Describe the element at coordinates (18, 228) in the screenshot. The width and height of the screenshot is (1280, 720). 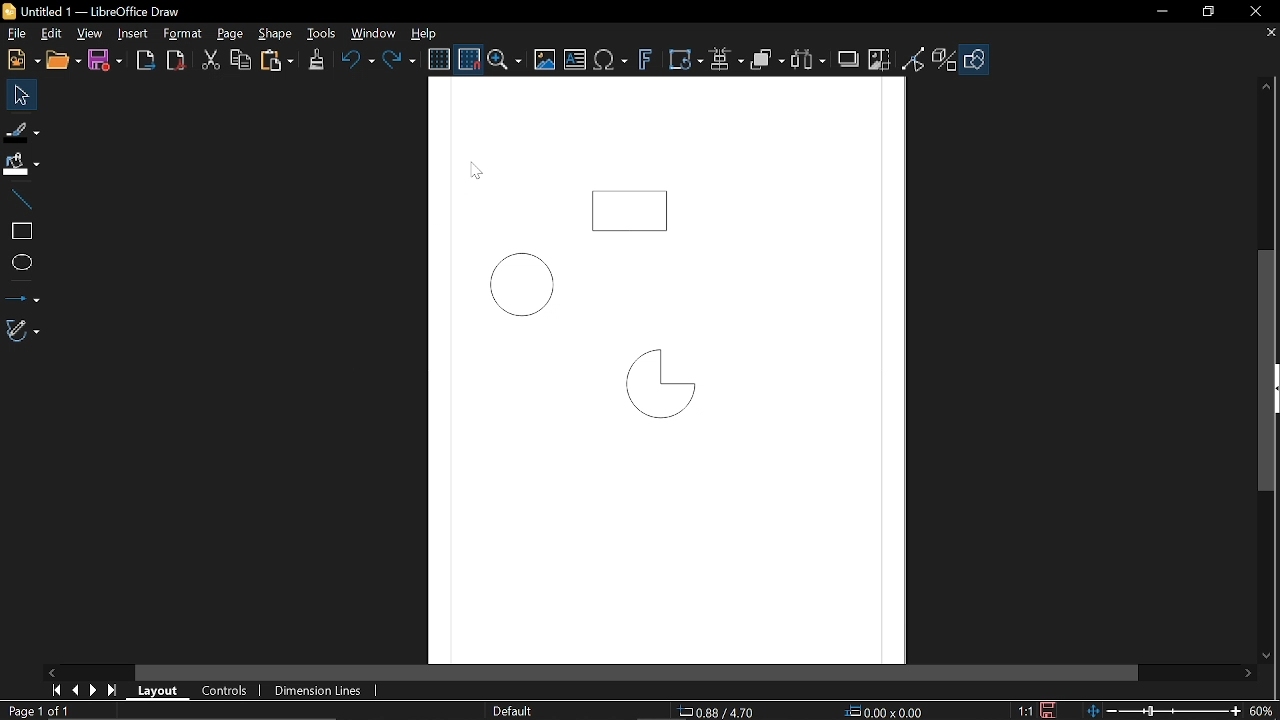
I see `rectangle` at that location.